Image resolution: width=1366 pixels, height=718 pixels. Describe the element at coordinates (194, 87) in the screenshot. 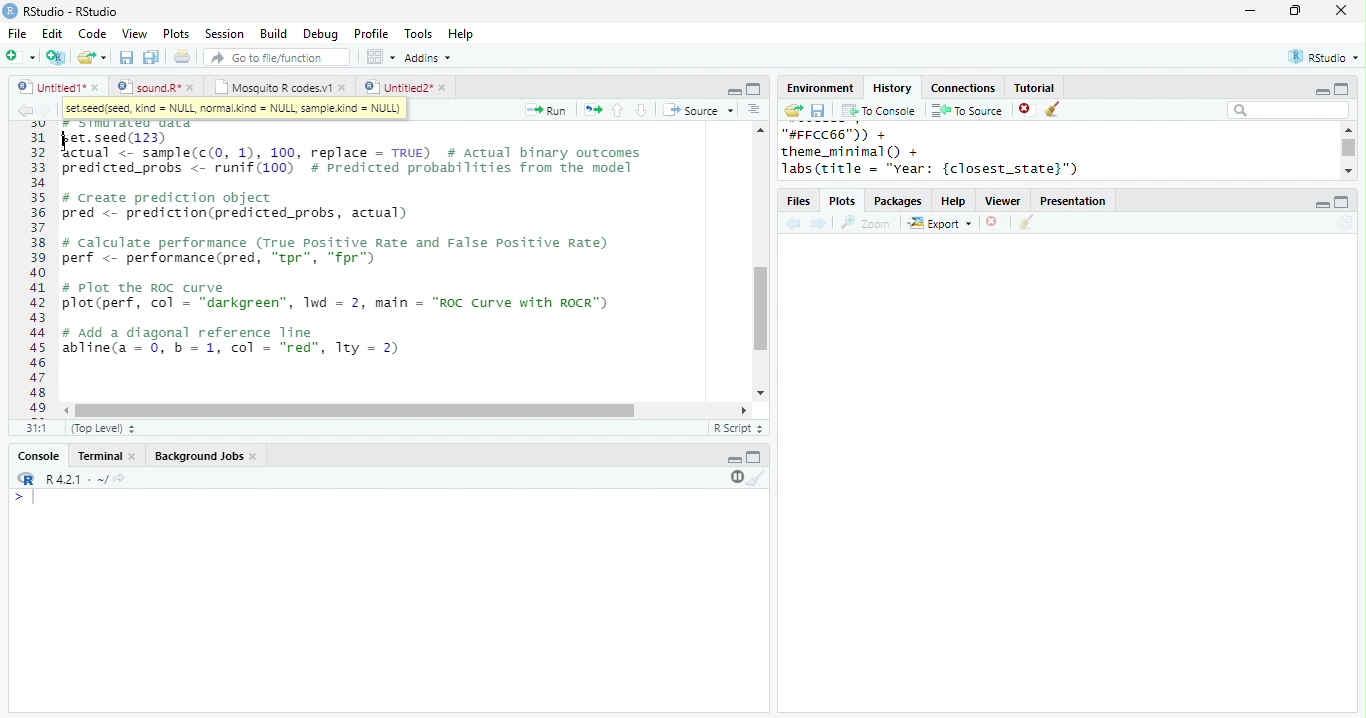

I see `close` at that location.